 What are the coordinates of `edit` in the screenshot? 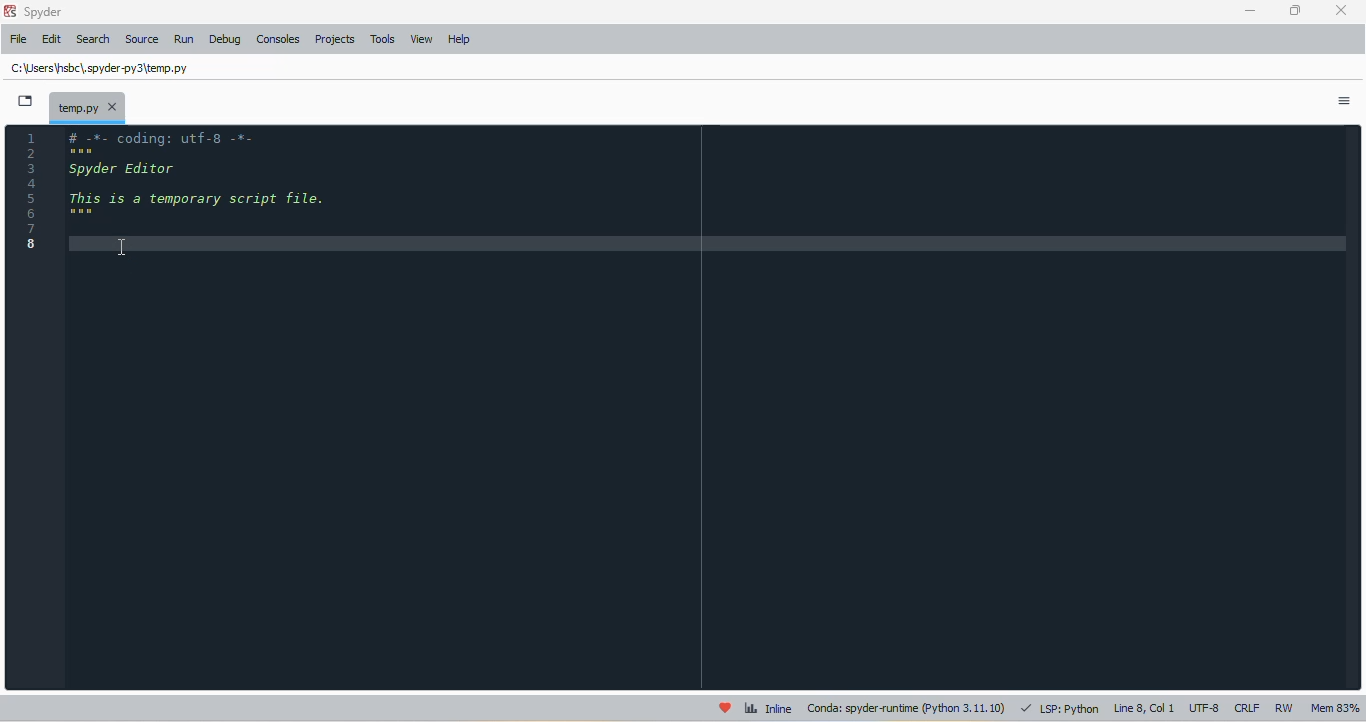 It's located at (53, 39).